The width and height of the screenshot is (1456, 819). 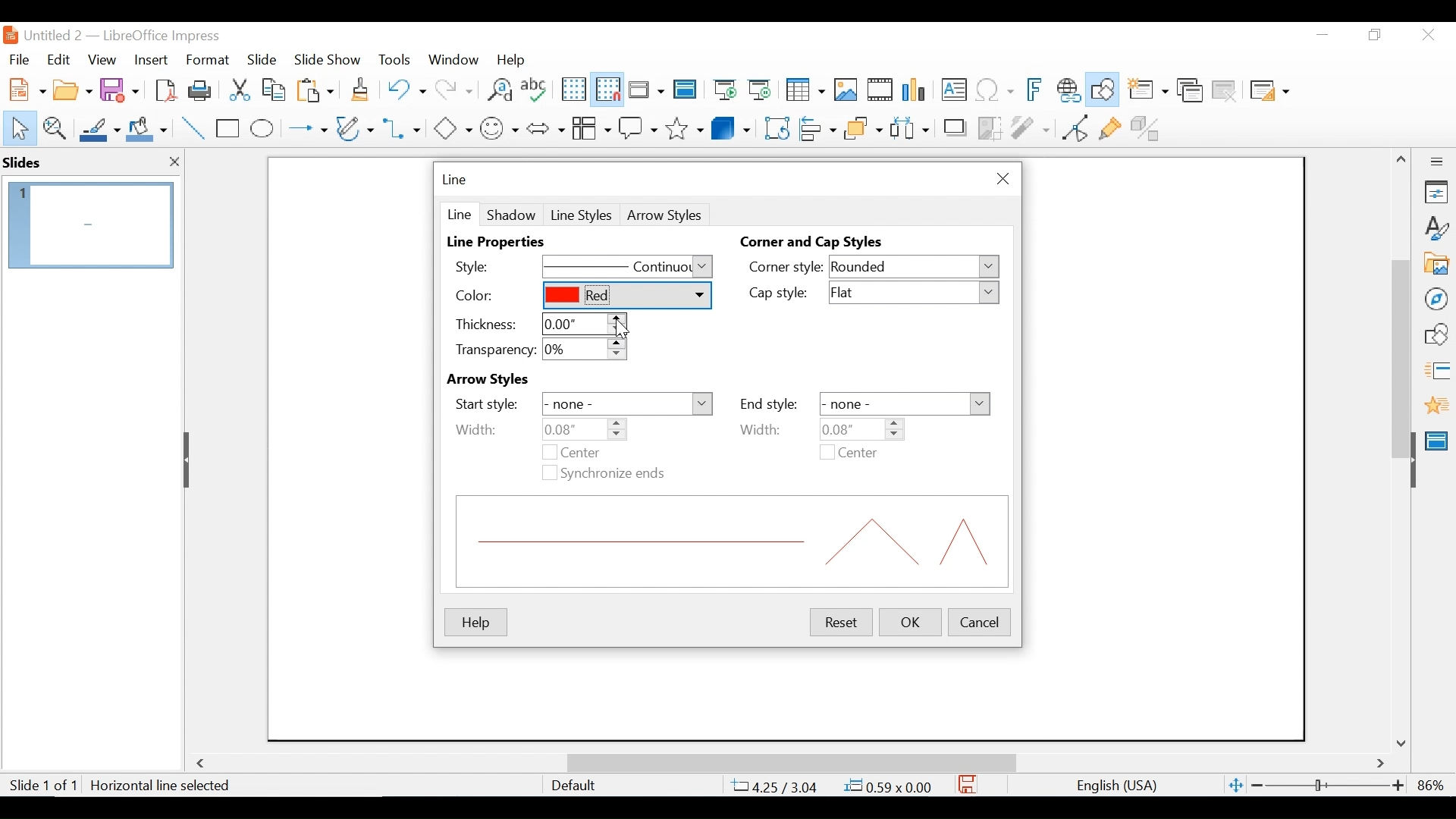 I want to click on Arrow Style, so click(x=667, y=215).